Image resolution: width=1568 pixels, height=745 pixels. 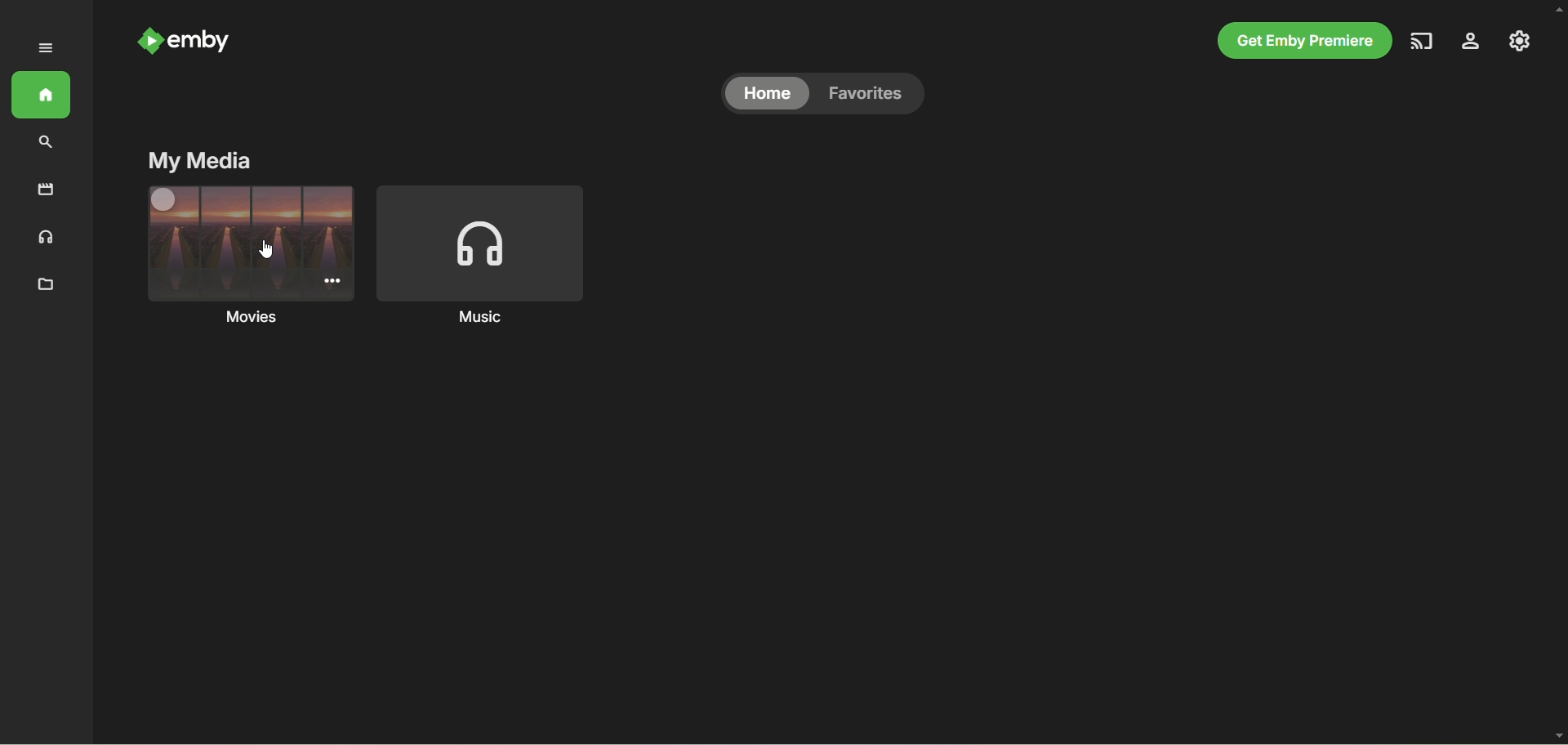 What do you see at coordinates (489, 256) in the screenshot?
I see `music` at bounding box center [489, 256].